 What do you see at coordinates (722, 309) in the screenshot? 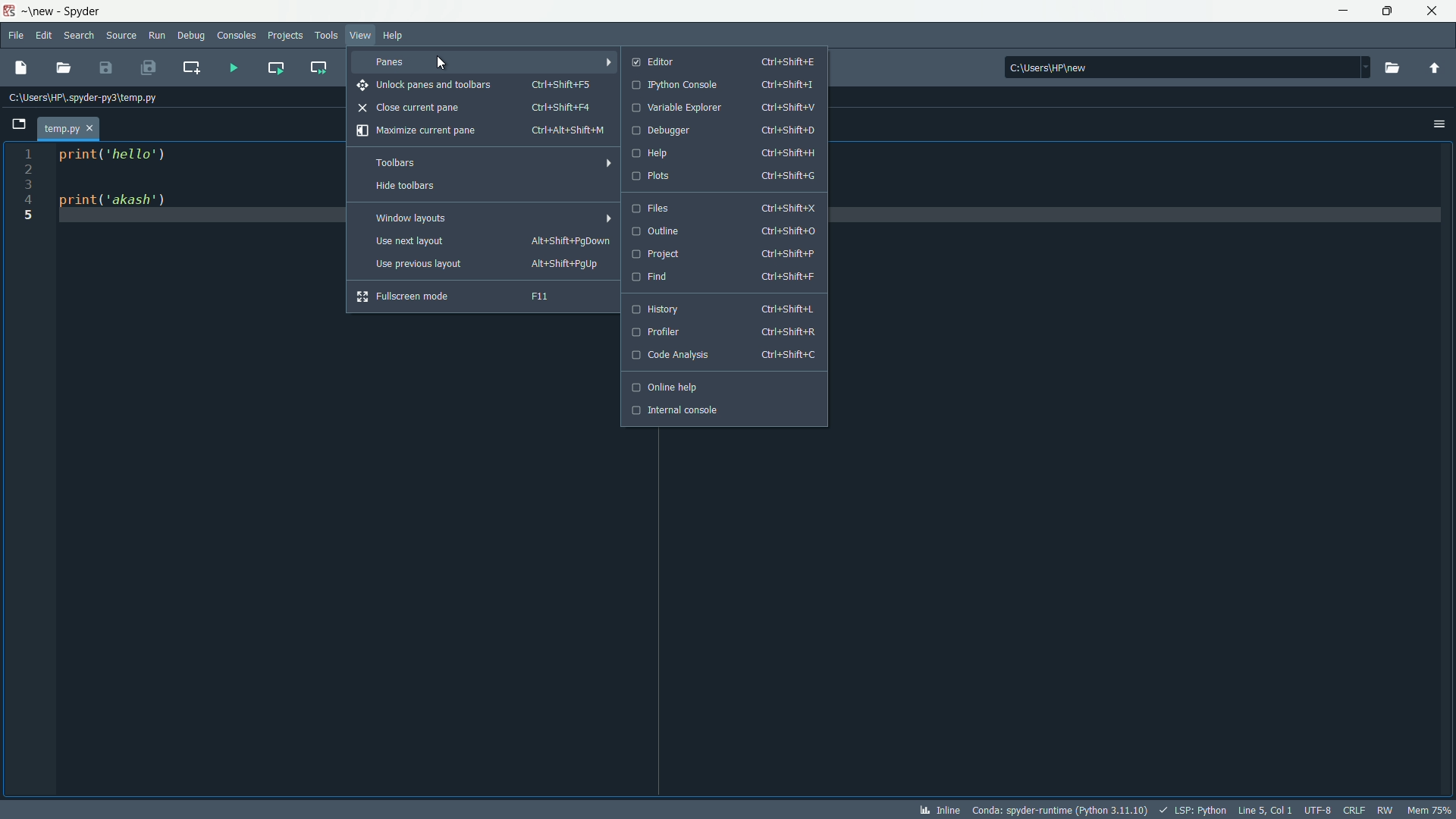
I see `history` at bounding box center [722, 309].